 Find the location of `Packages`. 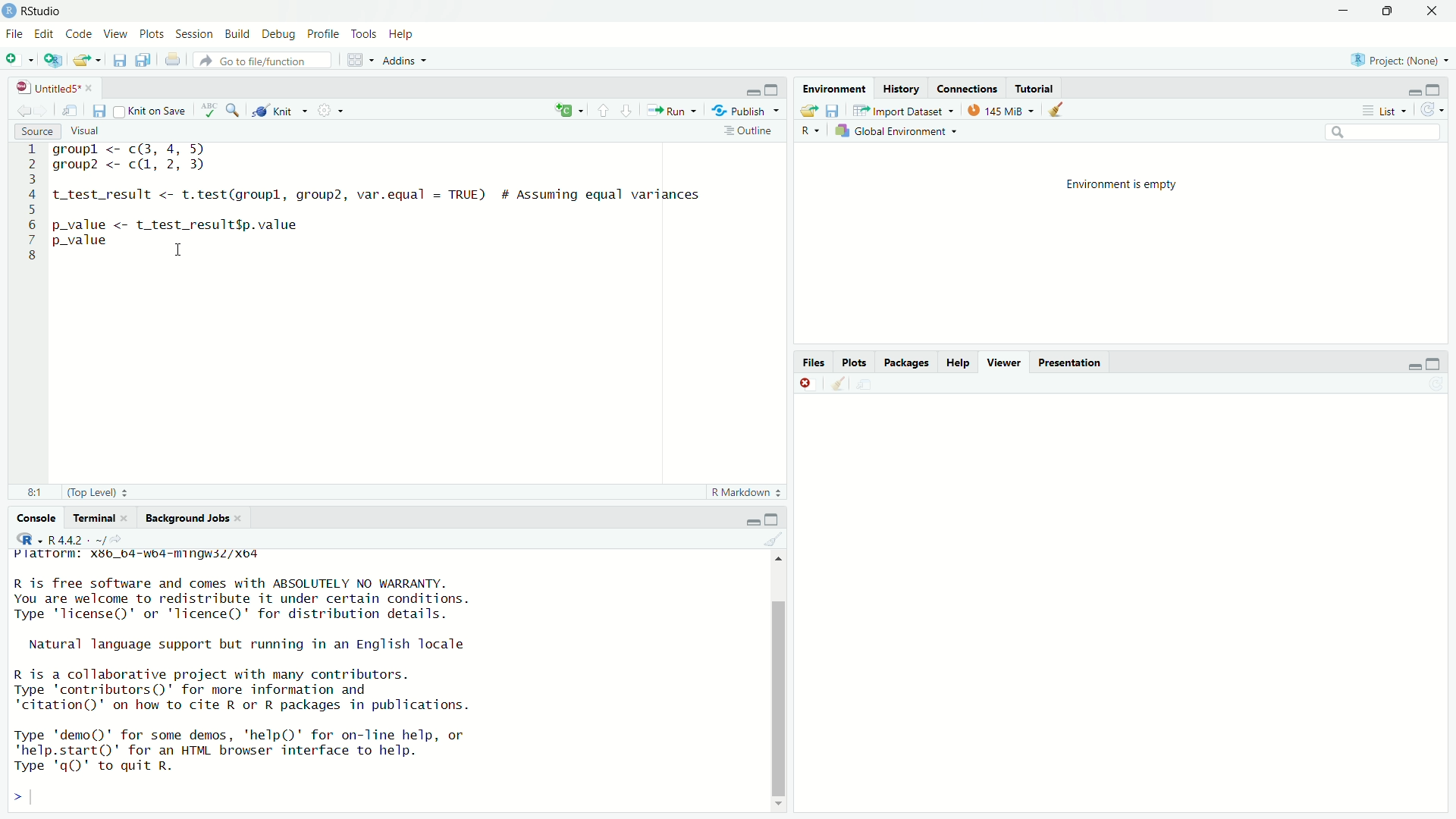

Packages is located at coordinates (908, 362).